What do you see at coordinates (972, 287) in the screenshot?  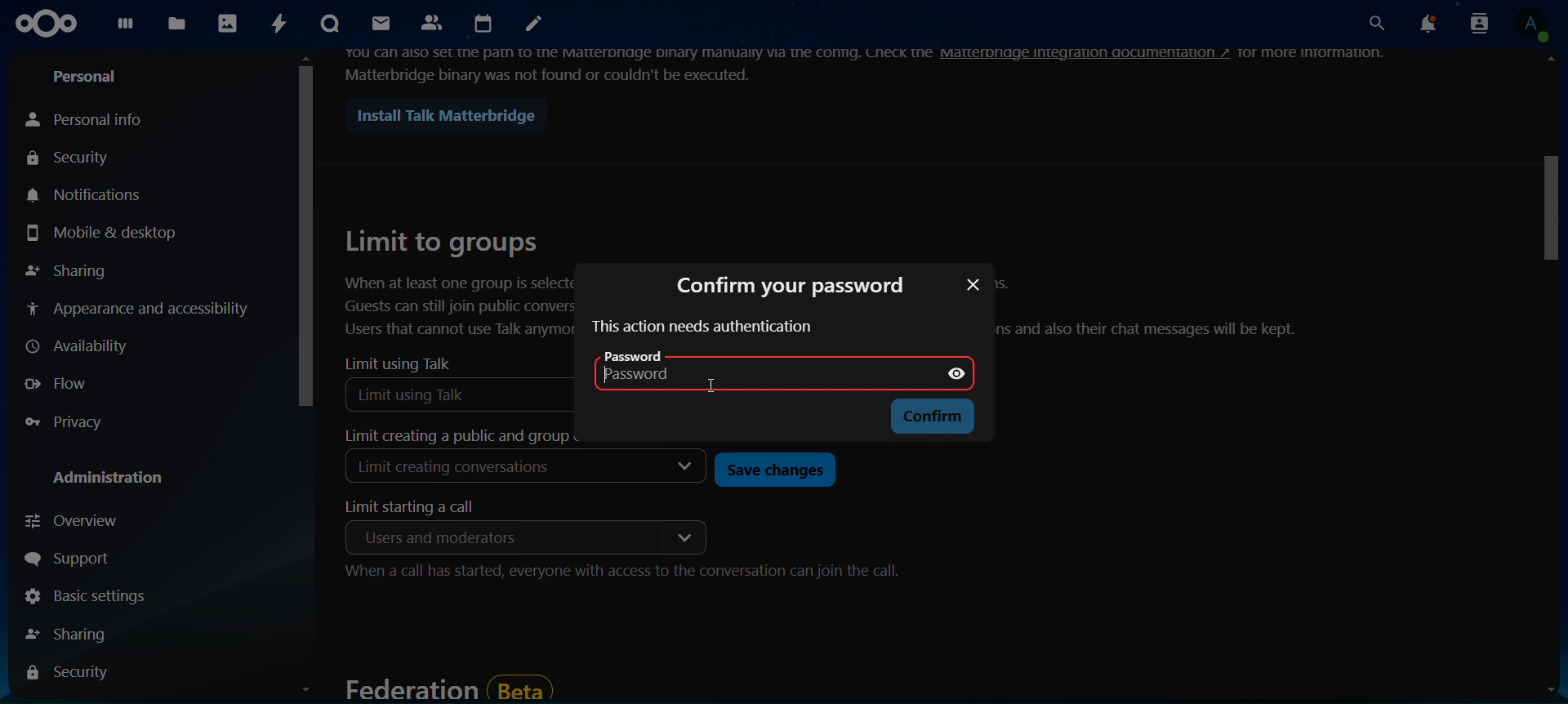 I see `close` at bounding box center [972, 287].